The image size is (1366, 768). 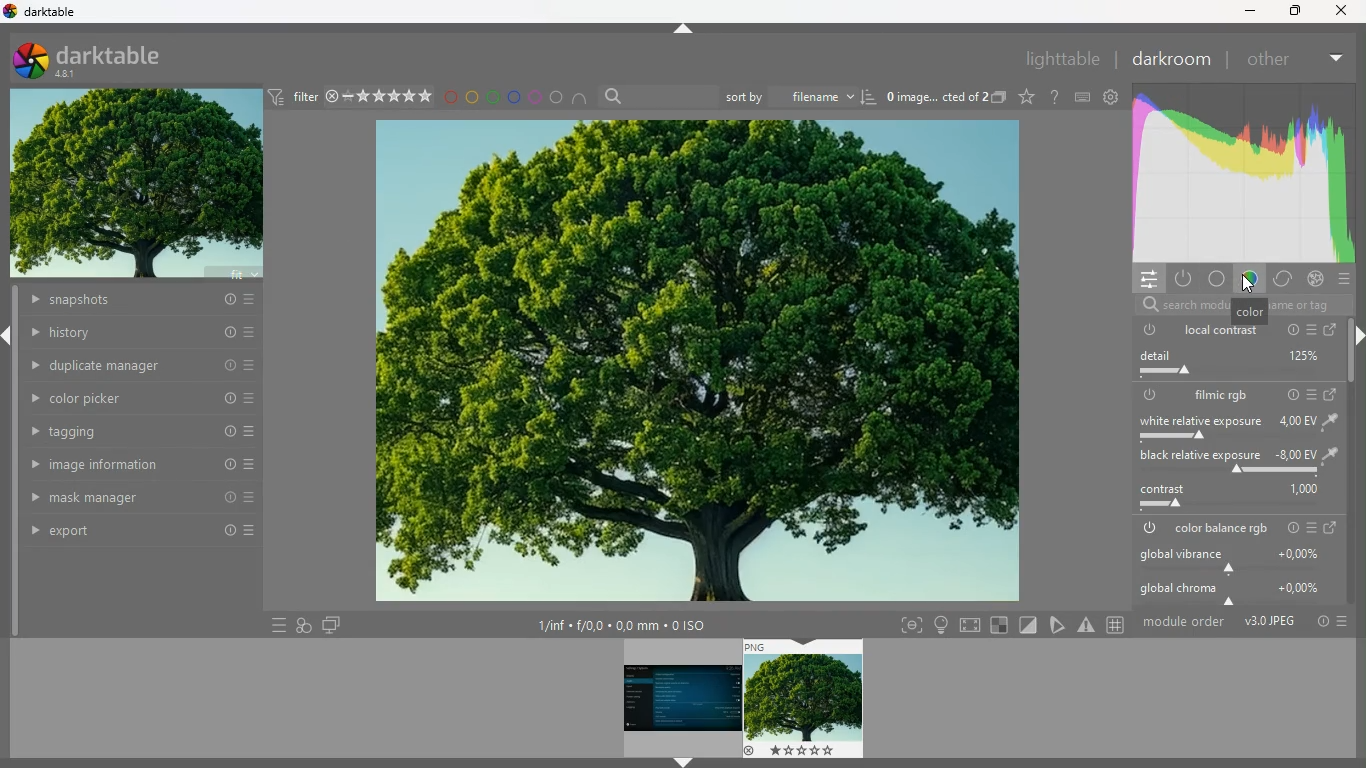 What do you see at coordinates (1315, 279) in the screenshot?
I see `effect` at bounding box center [1315, 279].